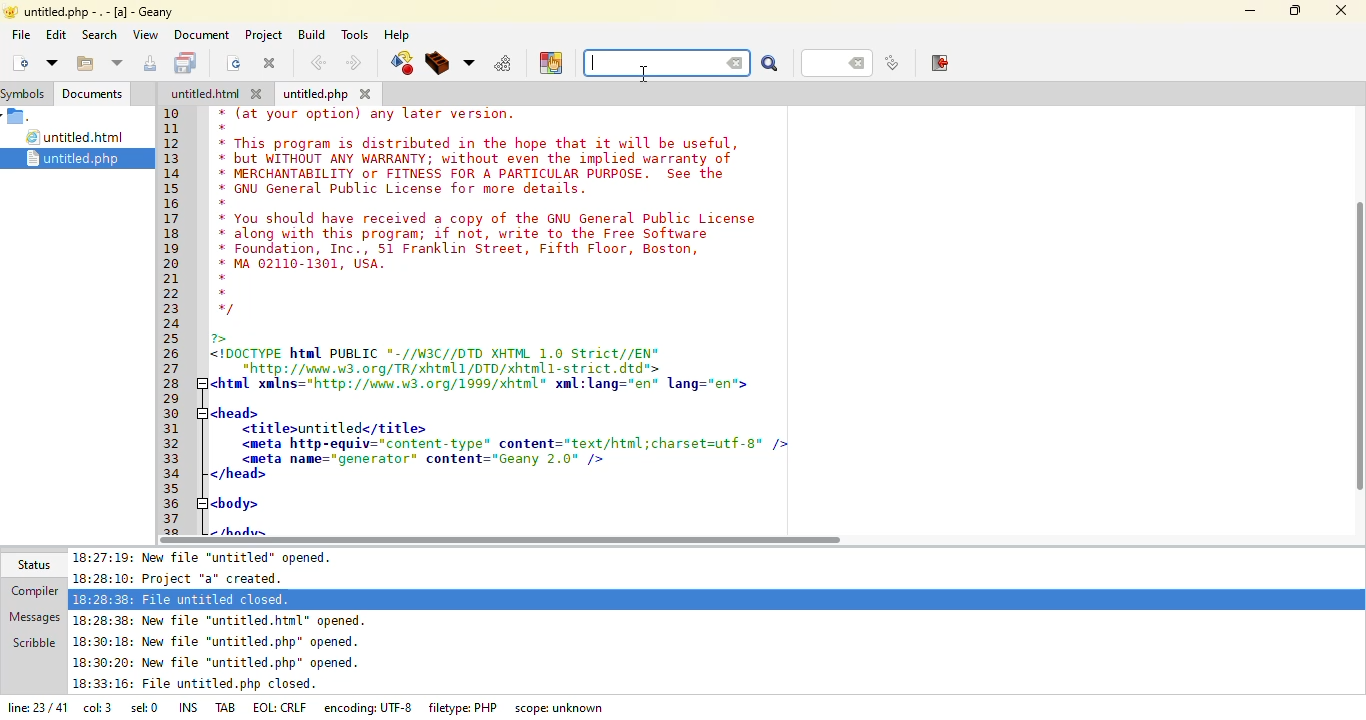 Image resolution: width=1366 pixels, height=720 pixels. I want to click on 34, so click(175, 474).